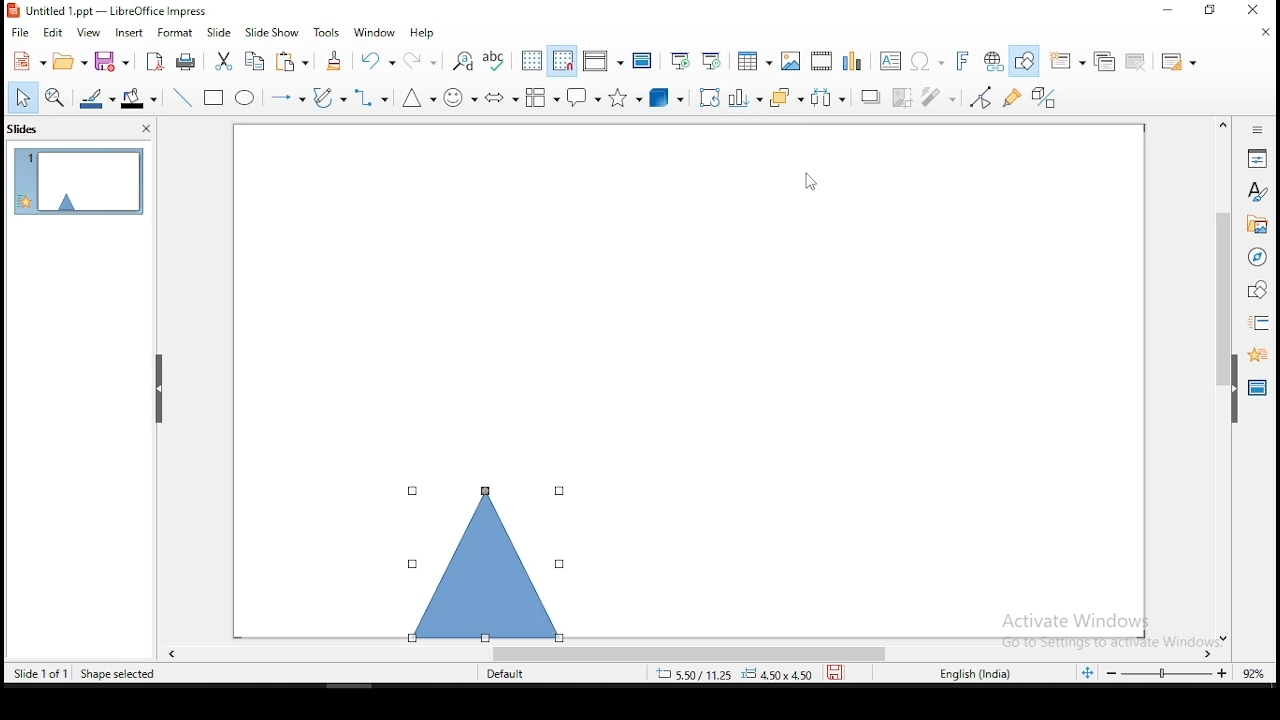 This screenshot has width=1280, height=720. Describe the element at coordinates (416, 99) in the screenshot. I see `basic shapes` at that location.